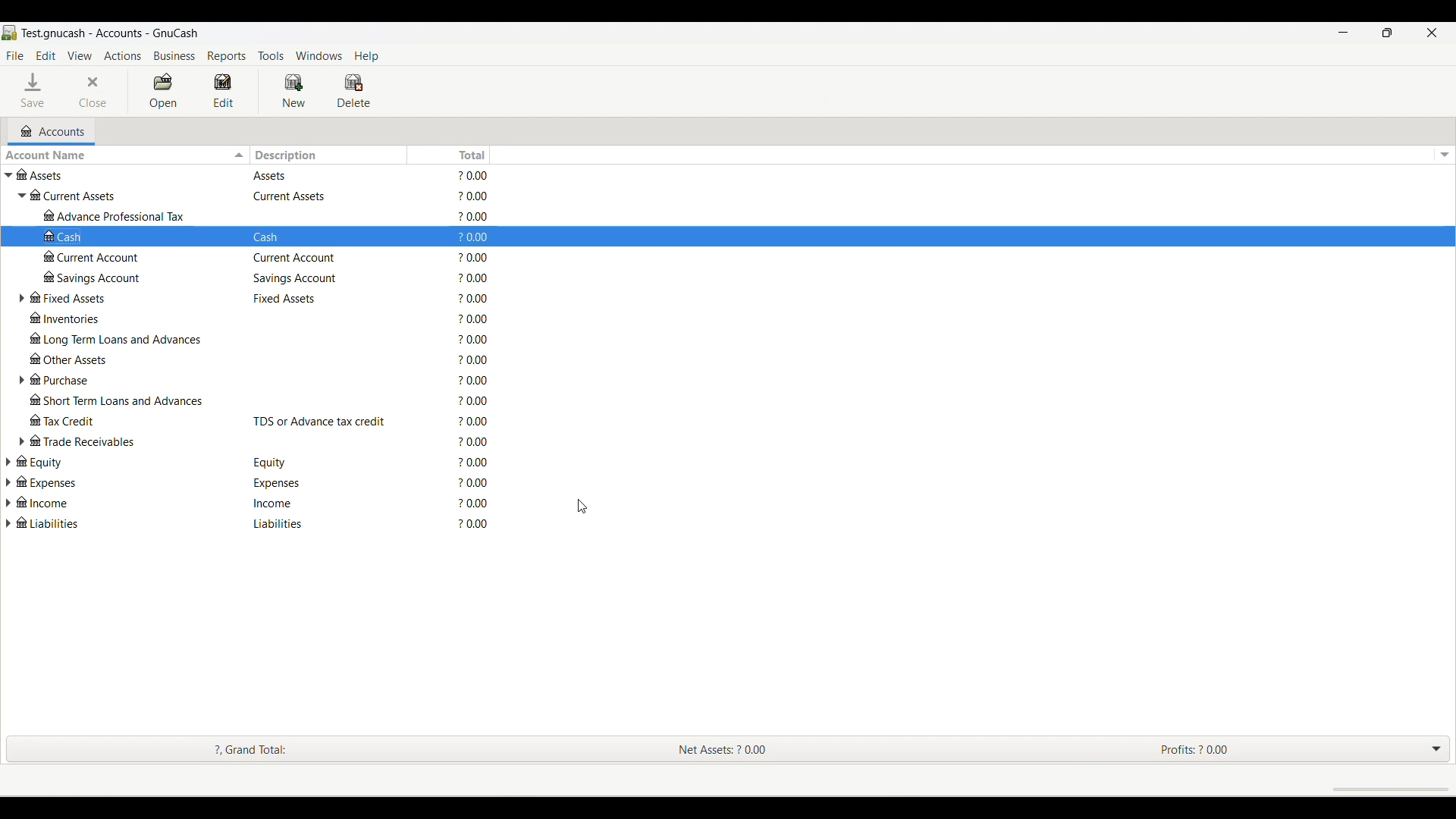 The width and height of the screenshot is (1456, 819). What do you see at coordinates (133, 276) in the screenshot?
I see `Savings account` at bounding box center [133, 276].